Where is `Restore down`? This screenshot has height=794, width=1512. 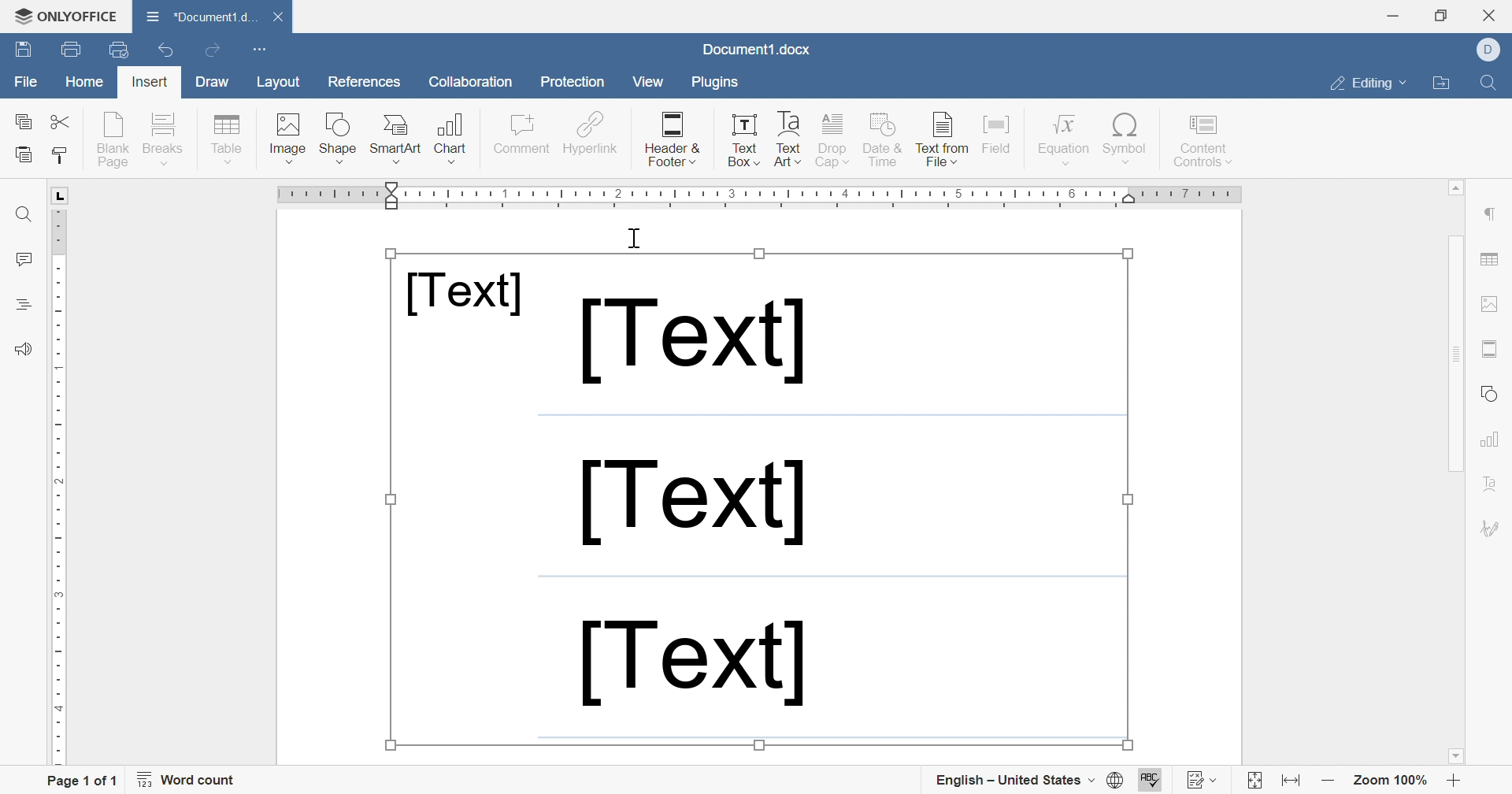
Restore down is located at coordinates (1440, 16).